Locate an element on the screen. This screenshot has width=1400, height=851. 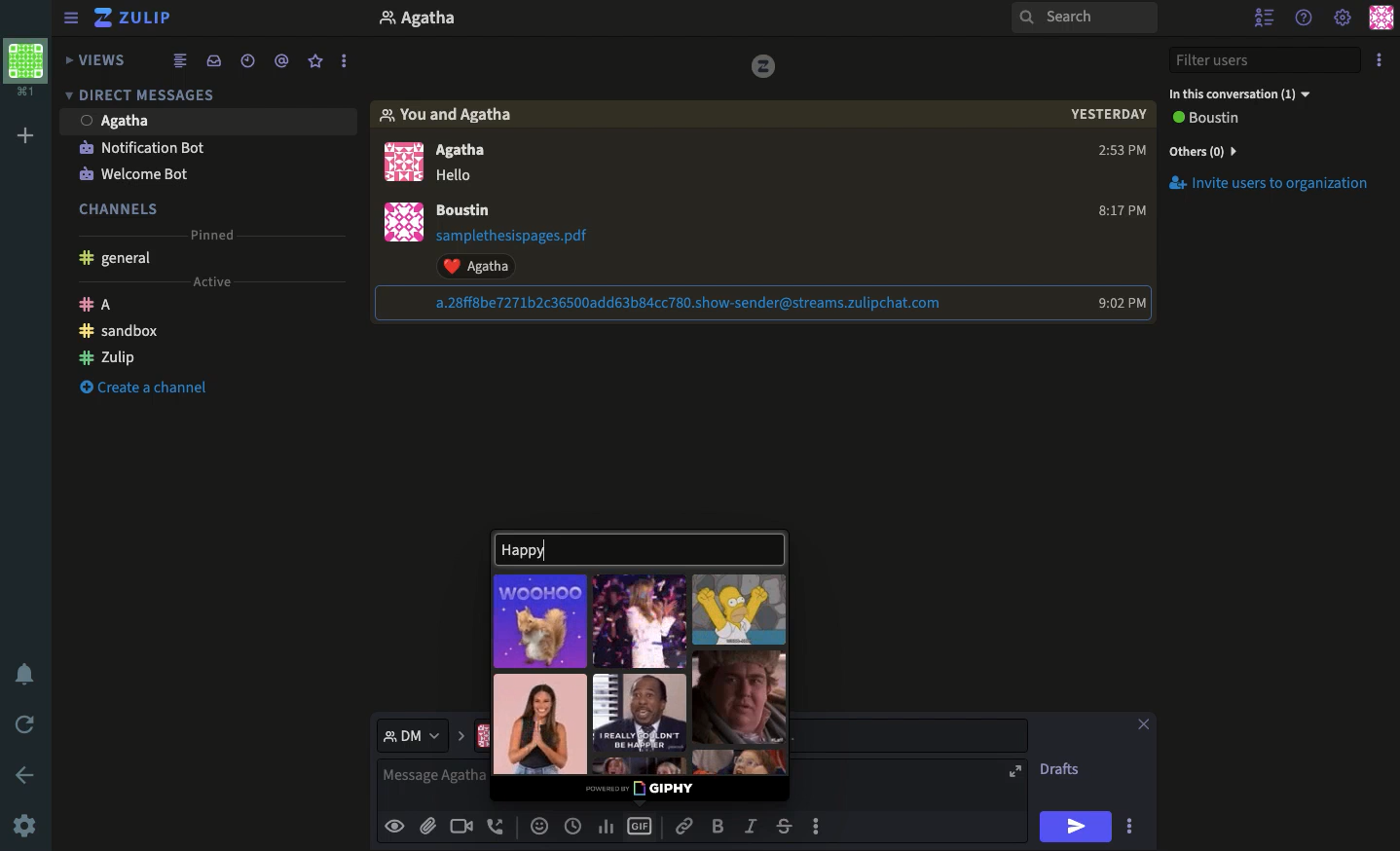
Notification settings is located at coordinates (21, 673).